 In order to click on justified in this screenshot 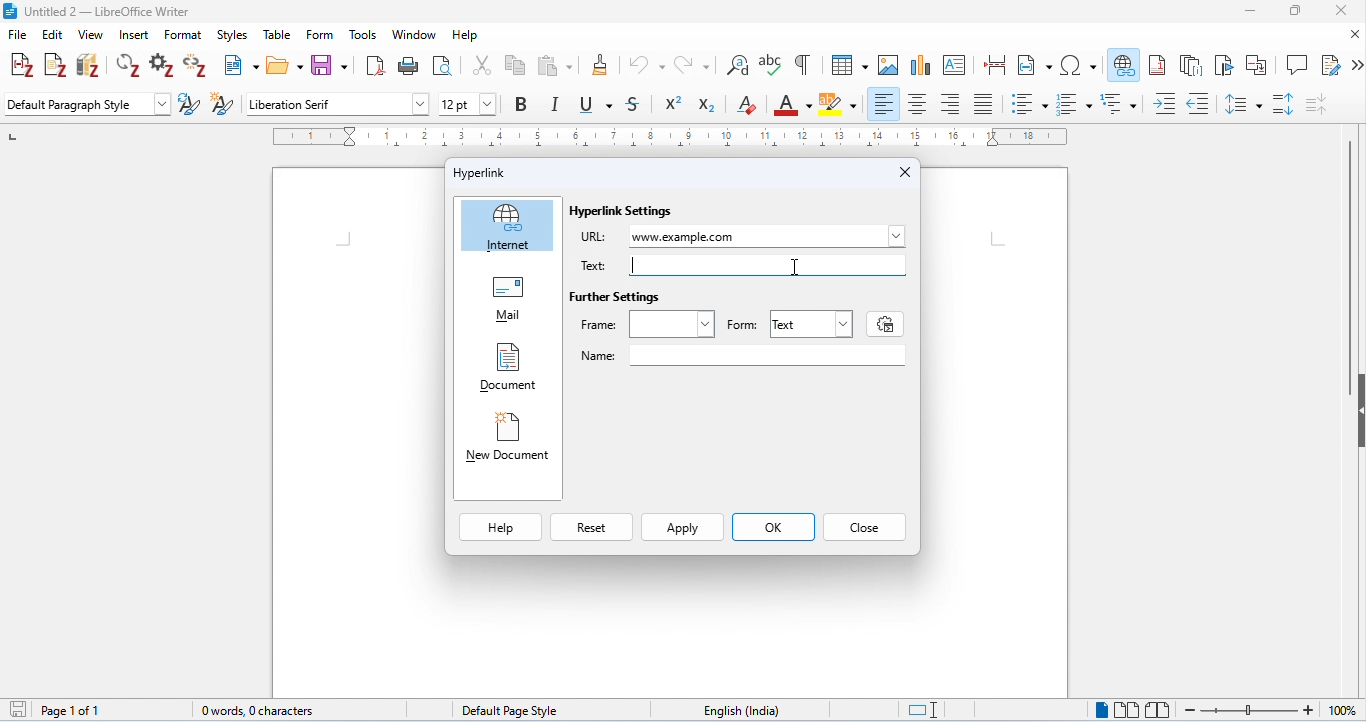, I will do `click(987, 104)`.